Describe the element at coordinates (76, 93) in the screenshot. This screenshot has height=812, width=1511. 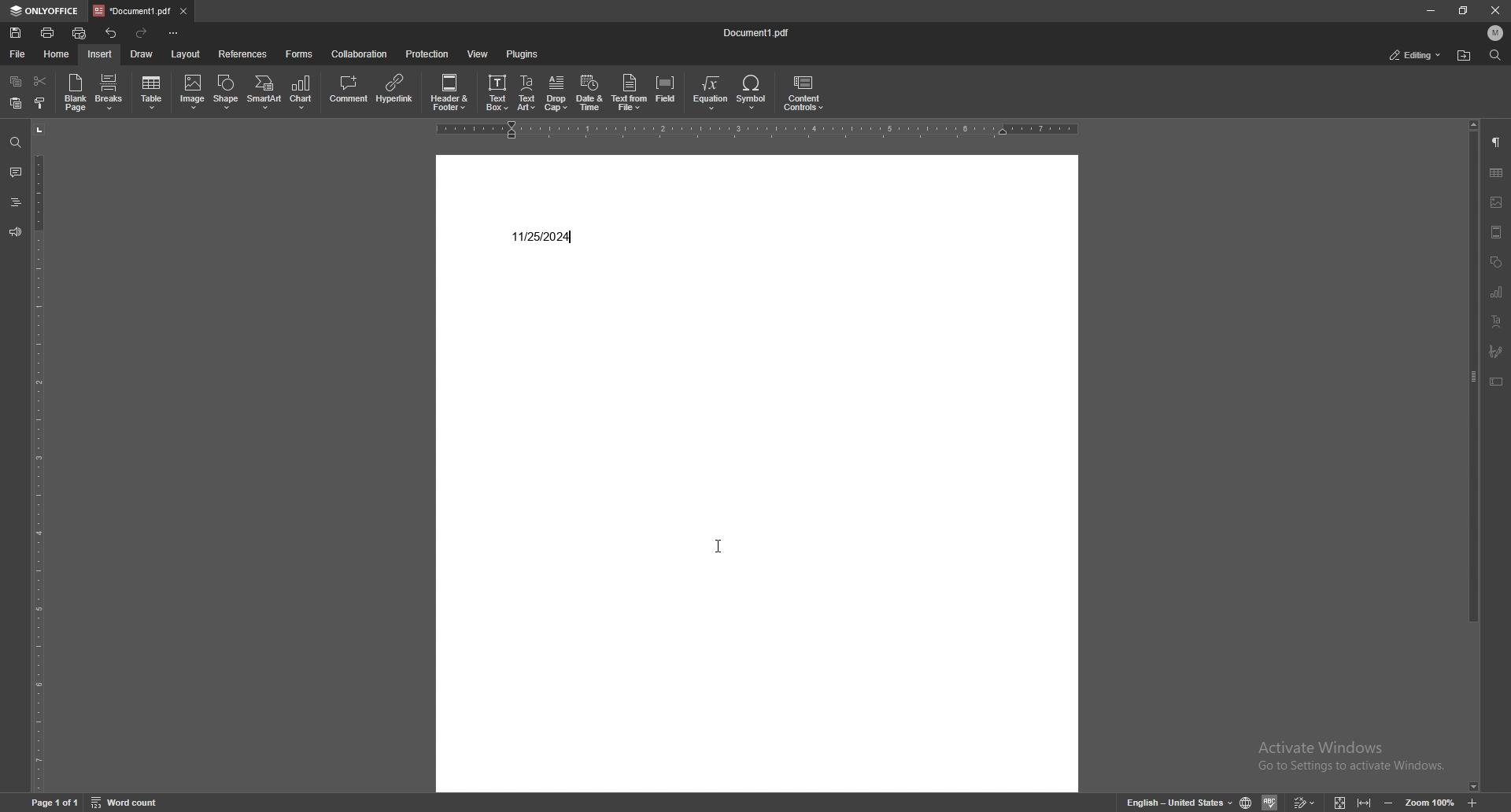
I see `blank page` at that location.